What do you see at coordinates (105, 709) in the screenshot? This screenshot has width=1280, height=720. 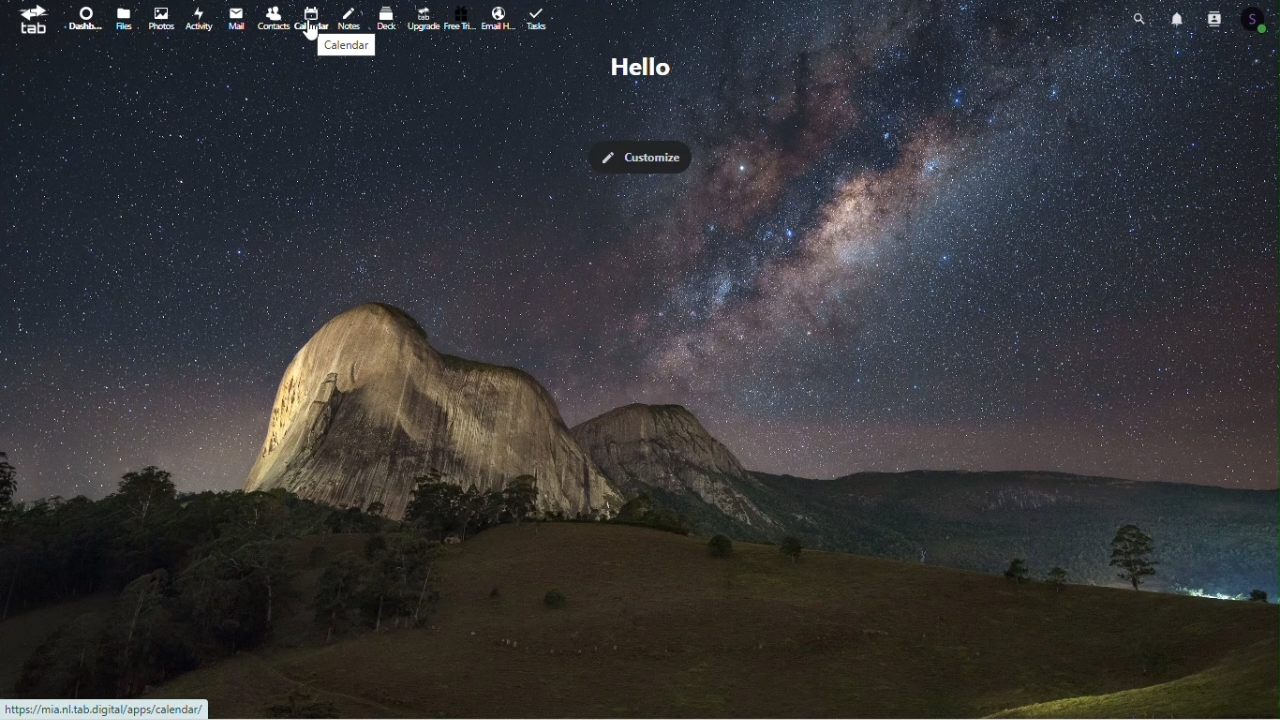 I see `https://mia.nl` at bounding box center [105, 709].